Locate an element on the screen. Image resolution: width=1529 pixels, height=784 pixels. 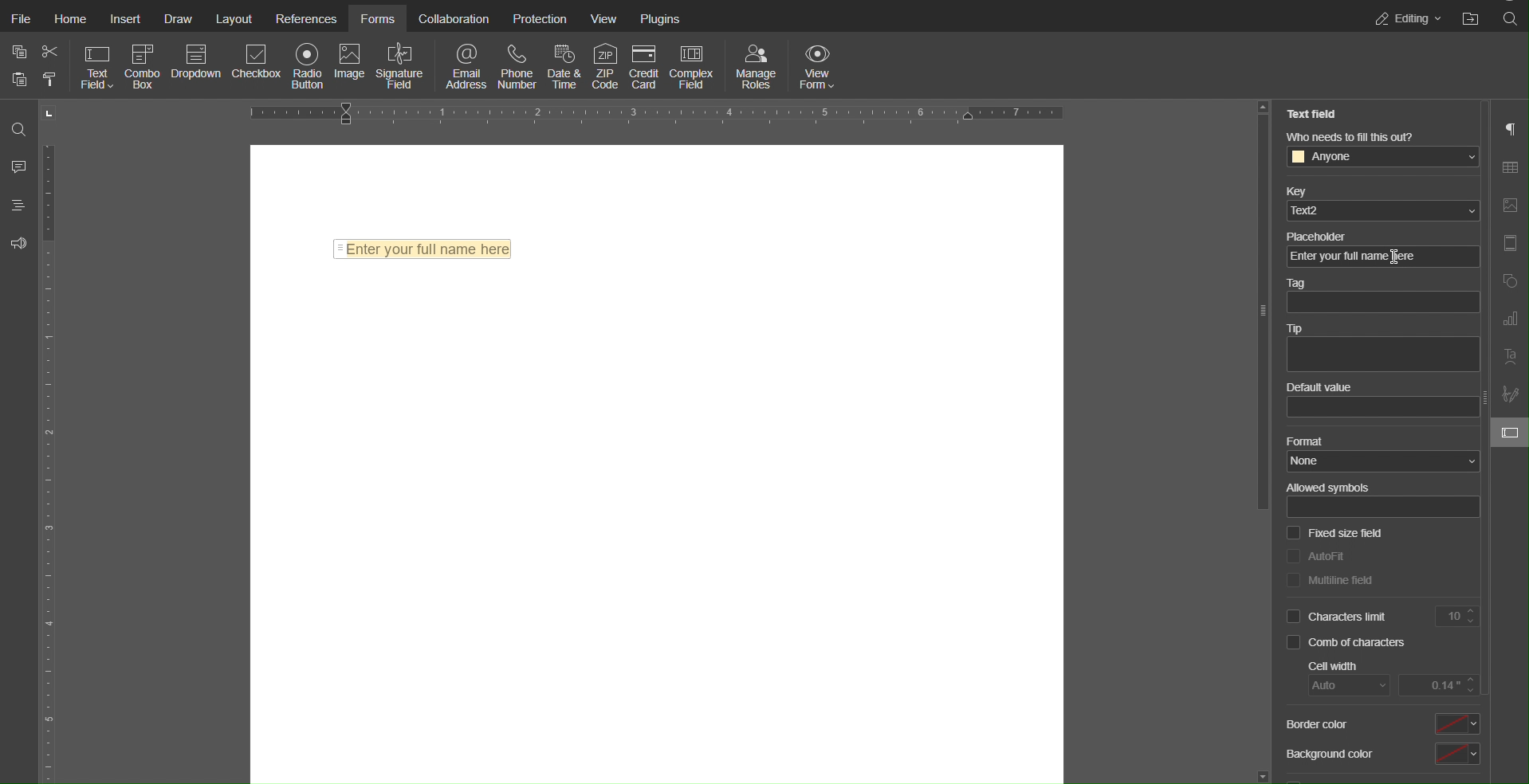
Credit Card is located at coordinates (645, 66).